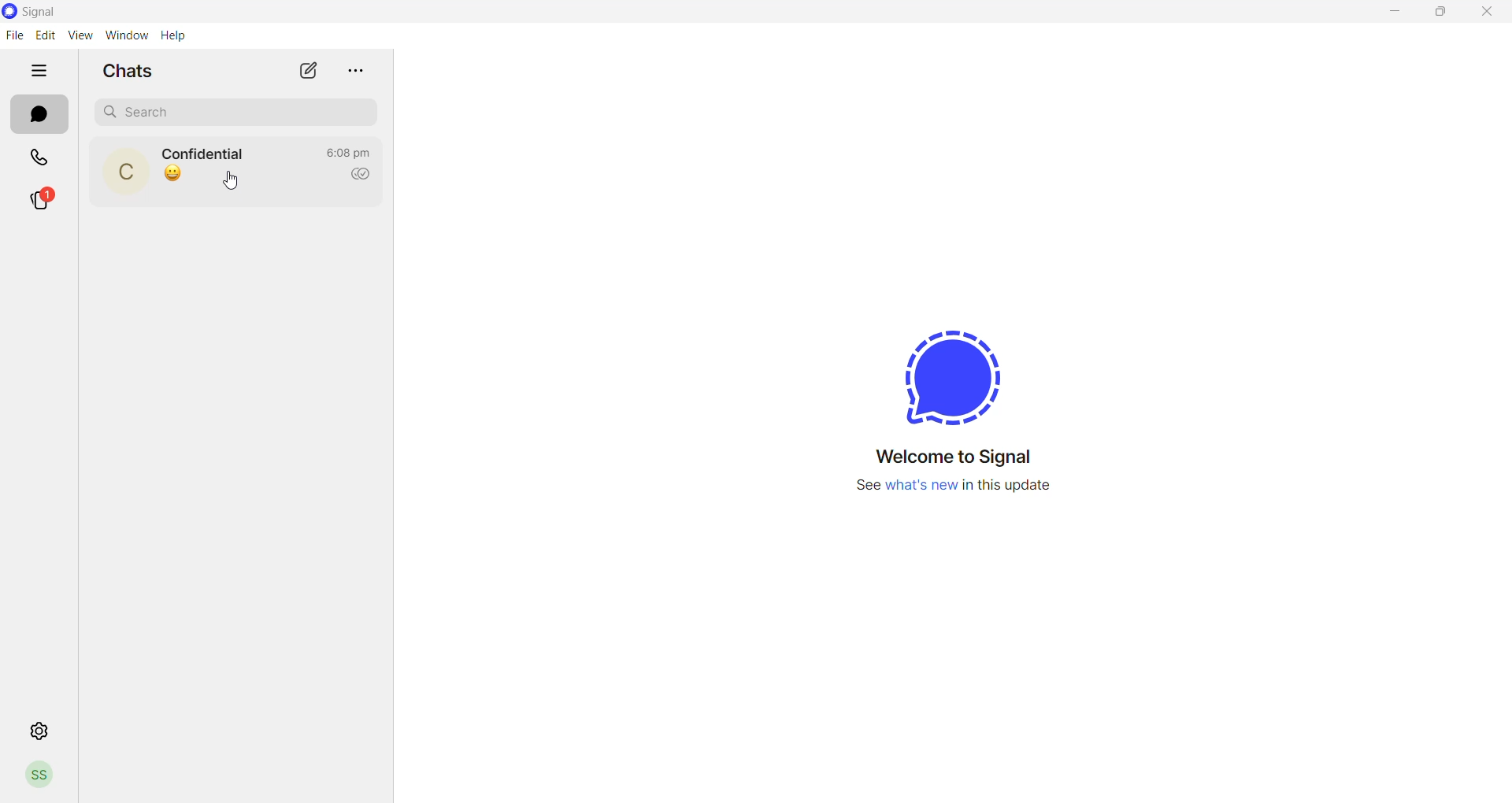 Image resolution: width=1512 pixels, height=803 pixels. What do you see at coordinates (943, 458) in the screenshot?
I see `welcome message` at bounding box center [943, 458].